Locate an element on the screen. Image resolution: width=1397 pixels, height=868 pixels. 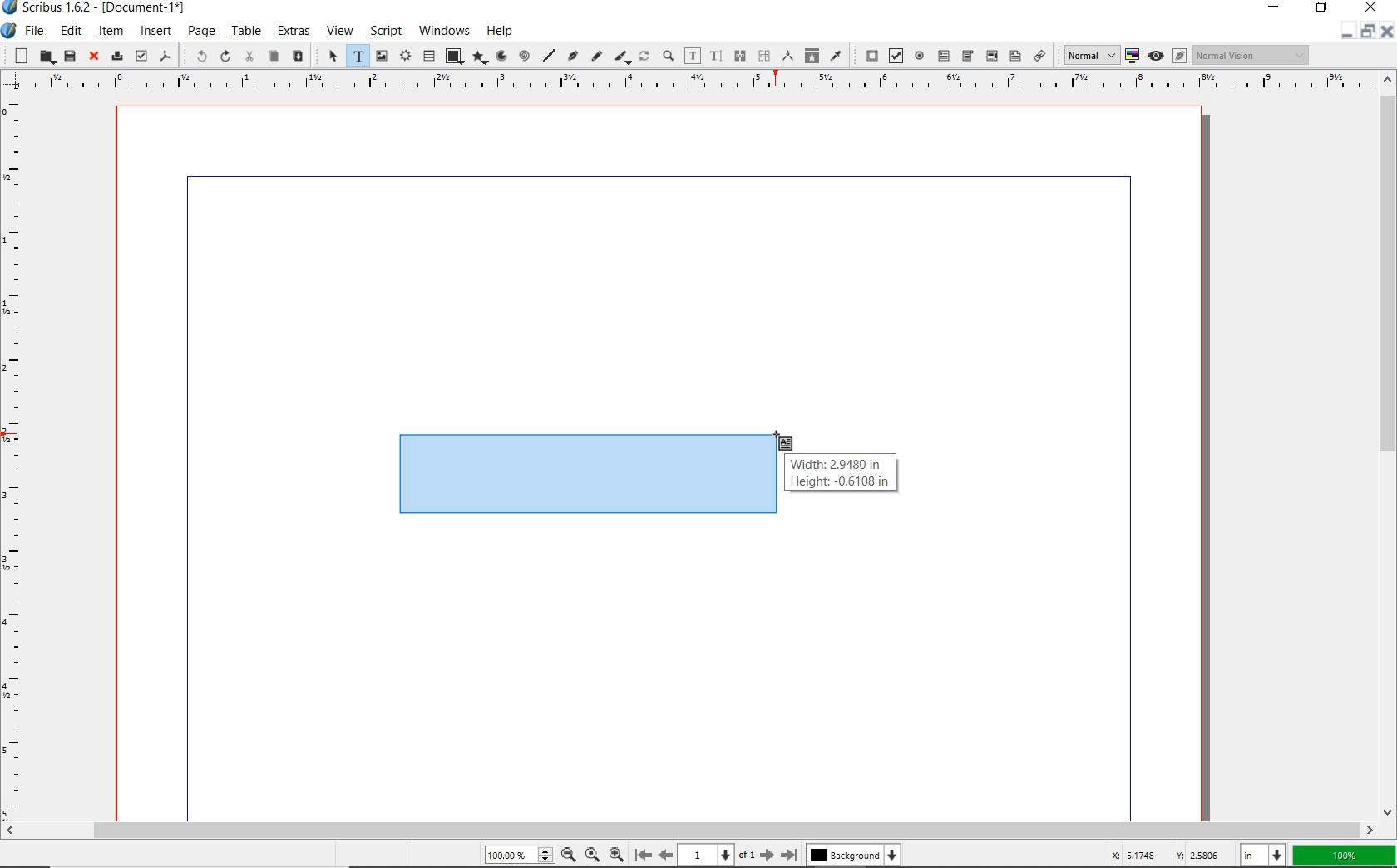
100% is located at coordinates (1345, 856).